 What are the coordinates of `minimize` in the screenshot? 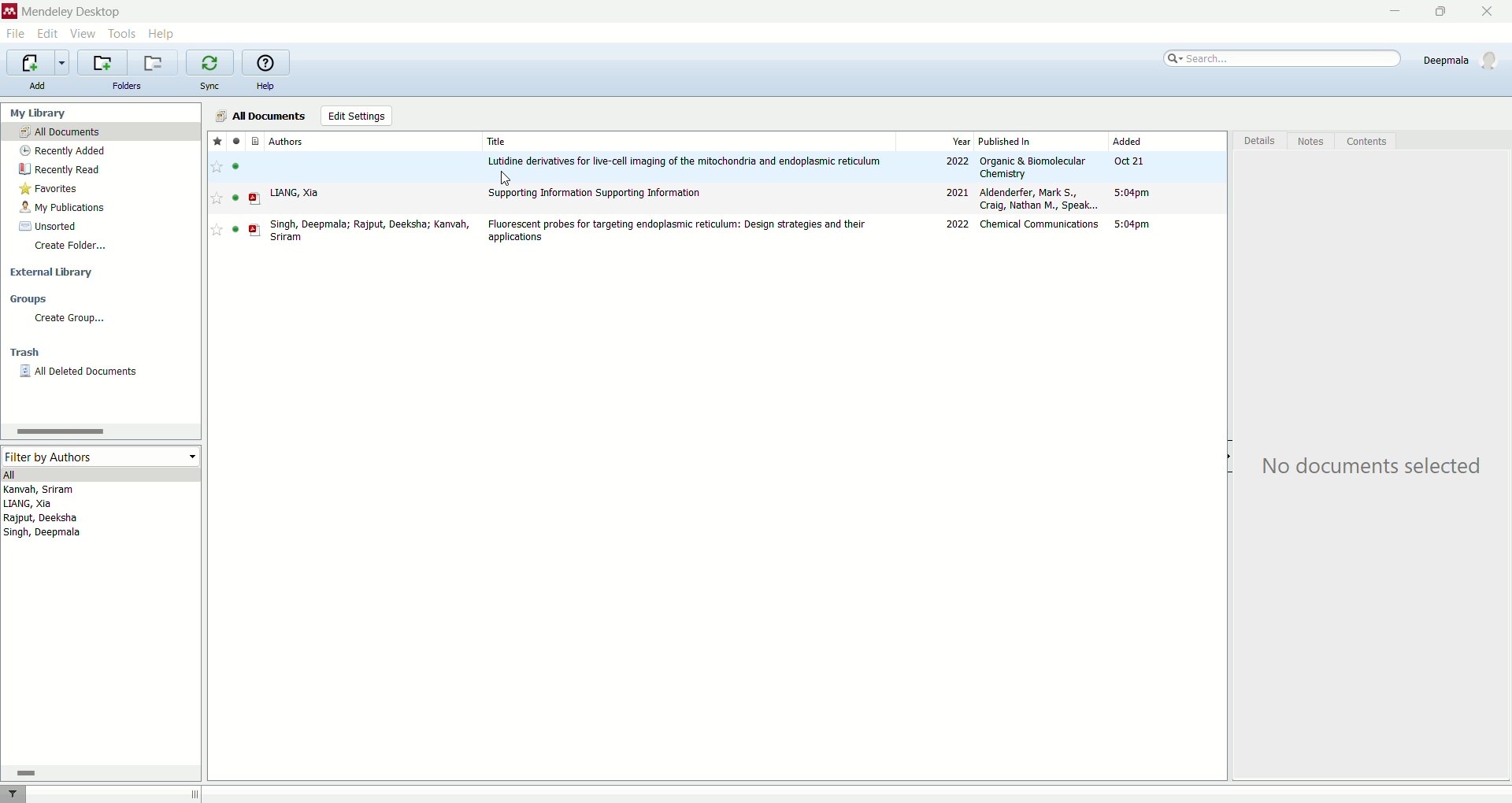 It's located at (1399, 10).